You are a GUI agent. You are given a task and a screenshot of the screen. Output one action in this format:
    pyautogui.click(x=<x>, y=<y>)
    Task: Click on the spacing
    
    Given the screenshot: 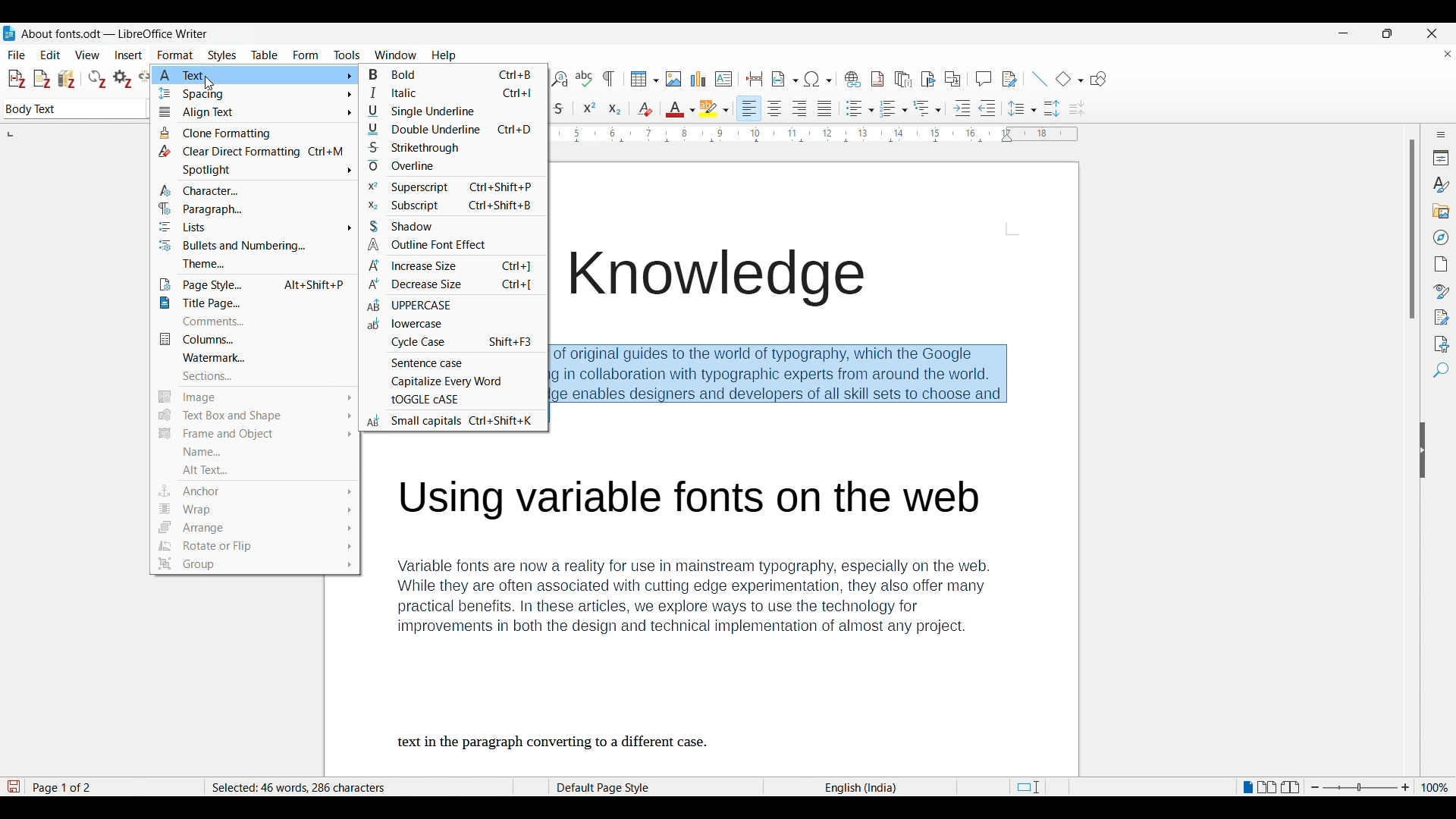 What is the action you would take?
    pyautogui.click(x=253, y=96)
    